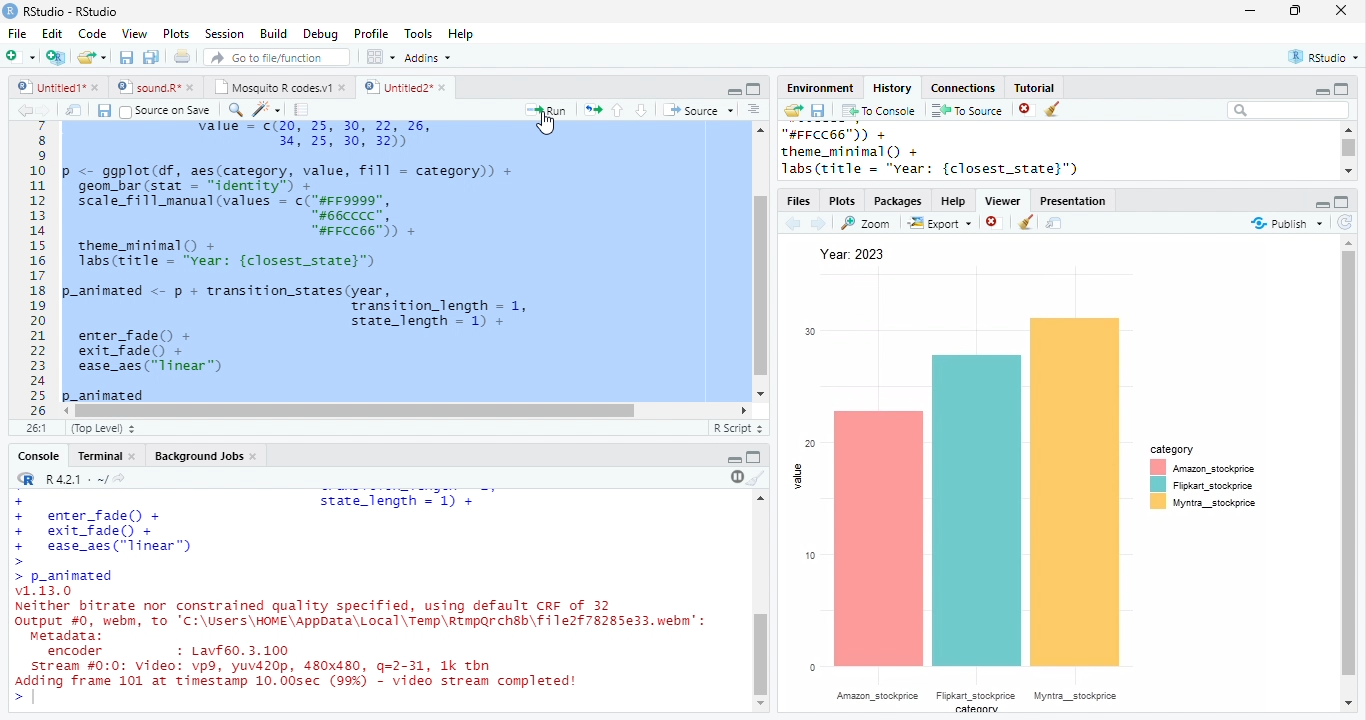 The height and width of the screenshot is (720, 1366). I want to click on show in new window, so click(1054, 222).